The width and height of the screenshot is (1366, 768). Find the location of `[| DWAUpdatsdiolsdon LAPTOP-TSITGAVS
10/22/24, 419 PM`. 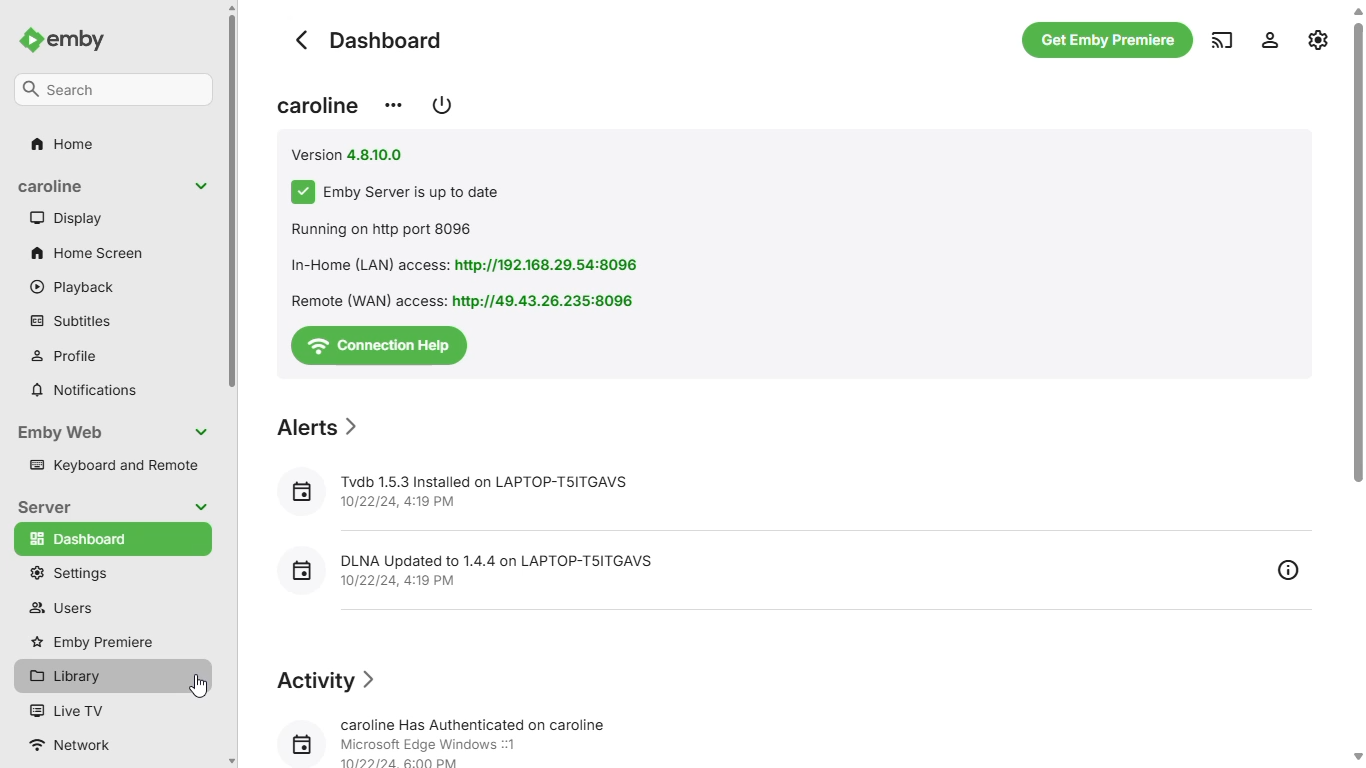

[| DWAUpdatsdiolsdon LAPTOP-TSITGAVS
10/22/24, 419 PM is located at coordinates (473, 568).